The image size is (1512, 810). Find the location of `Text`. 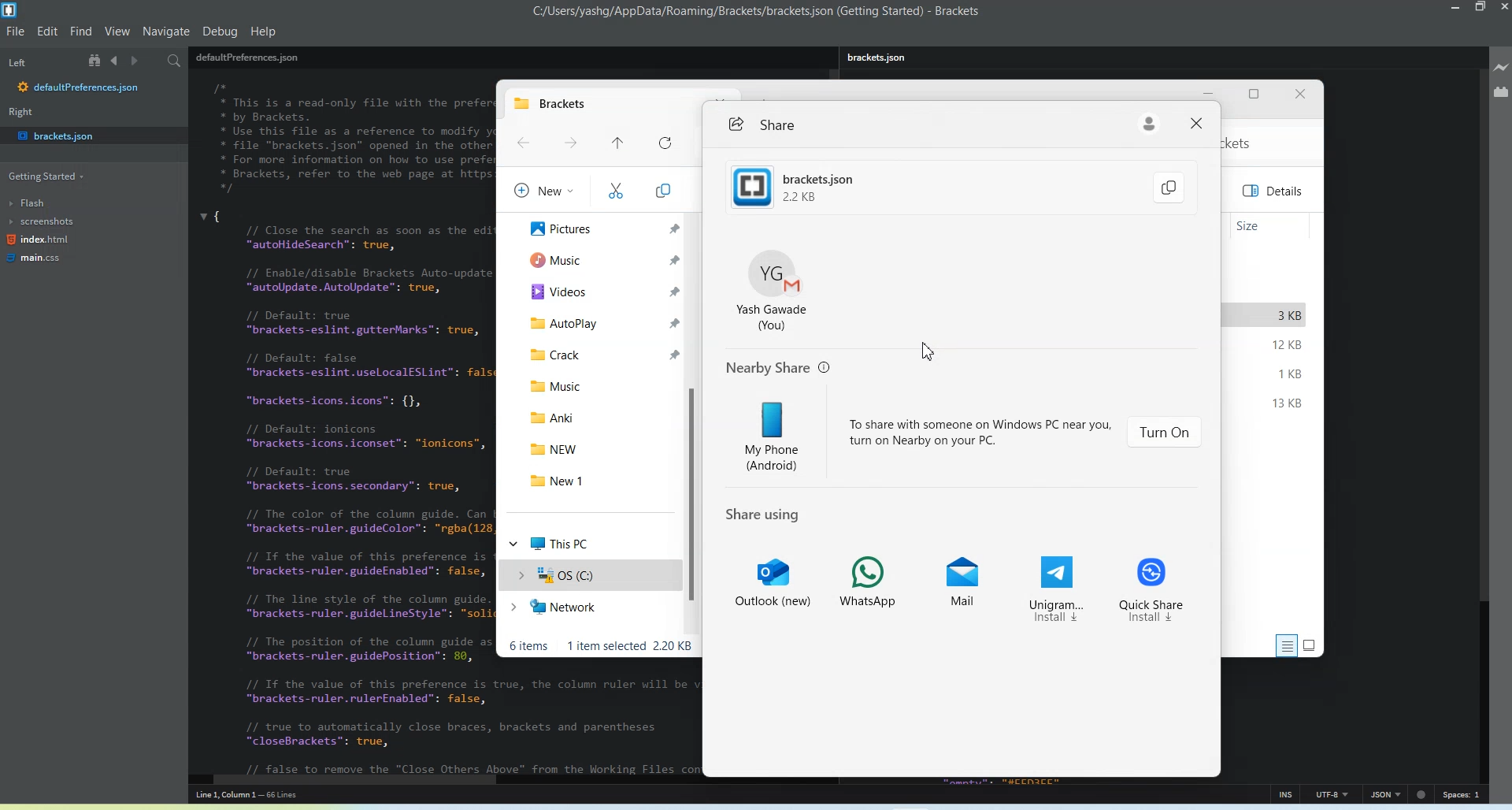

Text is located at coordinates (602, 646).